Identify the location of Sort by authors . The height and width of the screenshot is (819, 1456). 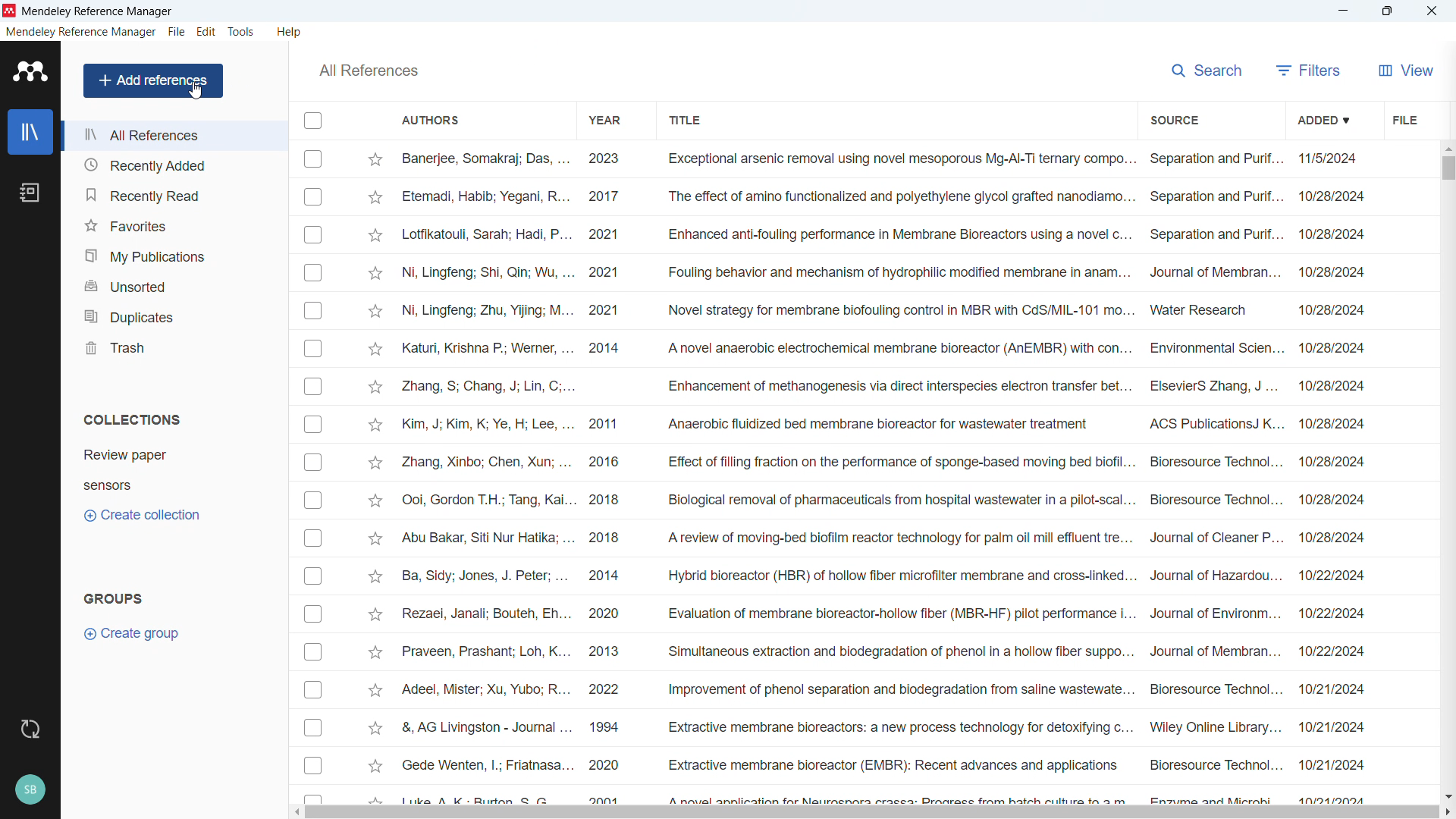
(431, 119).